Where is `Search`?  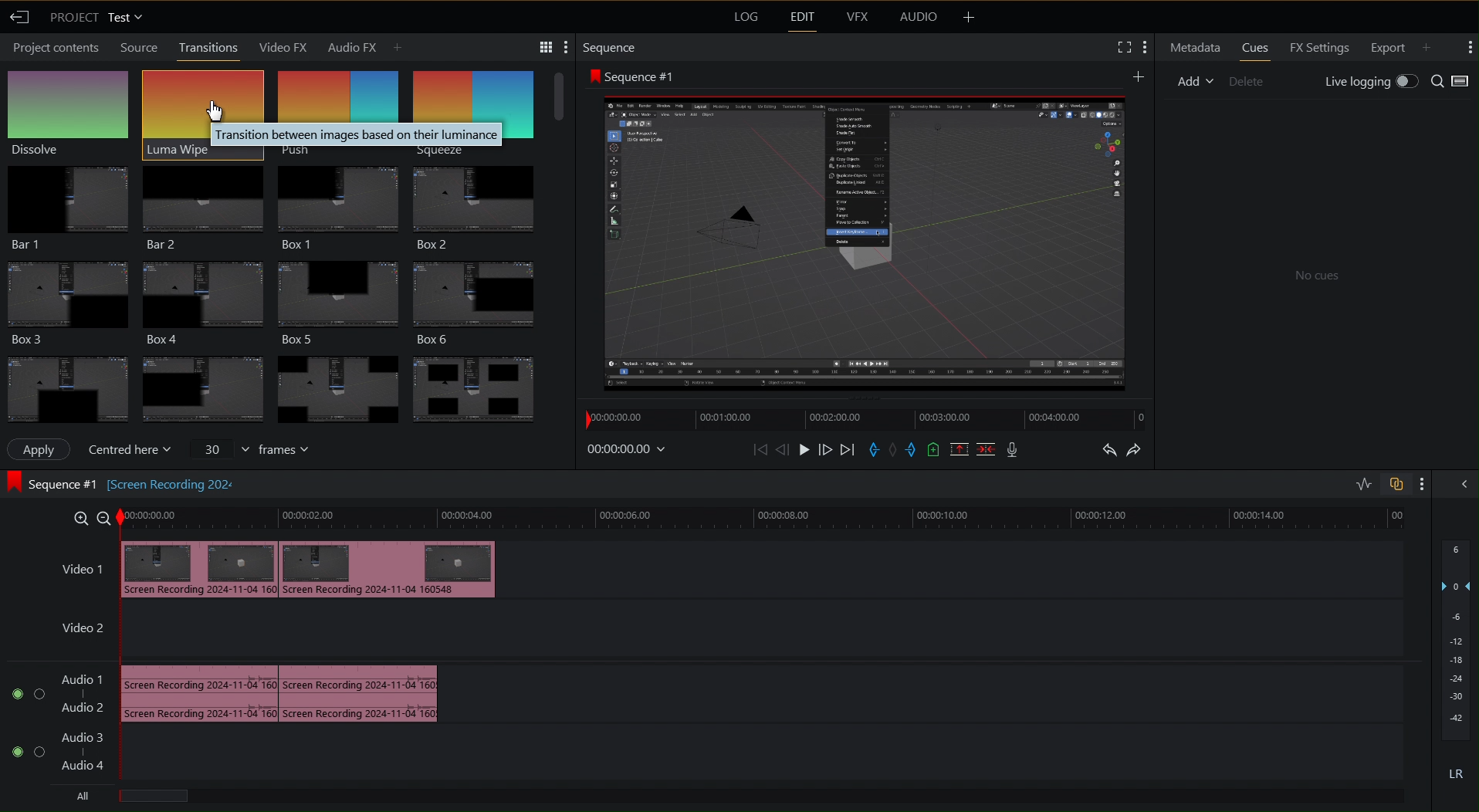
Search is located at coordinates (1453, 80).